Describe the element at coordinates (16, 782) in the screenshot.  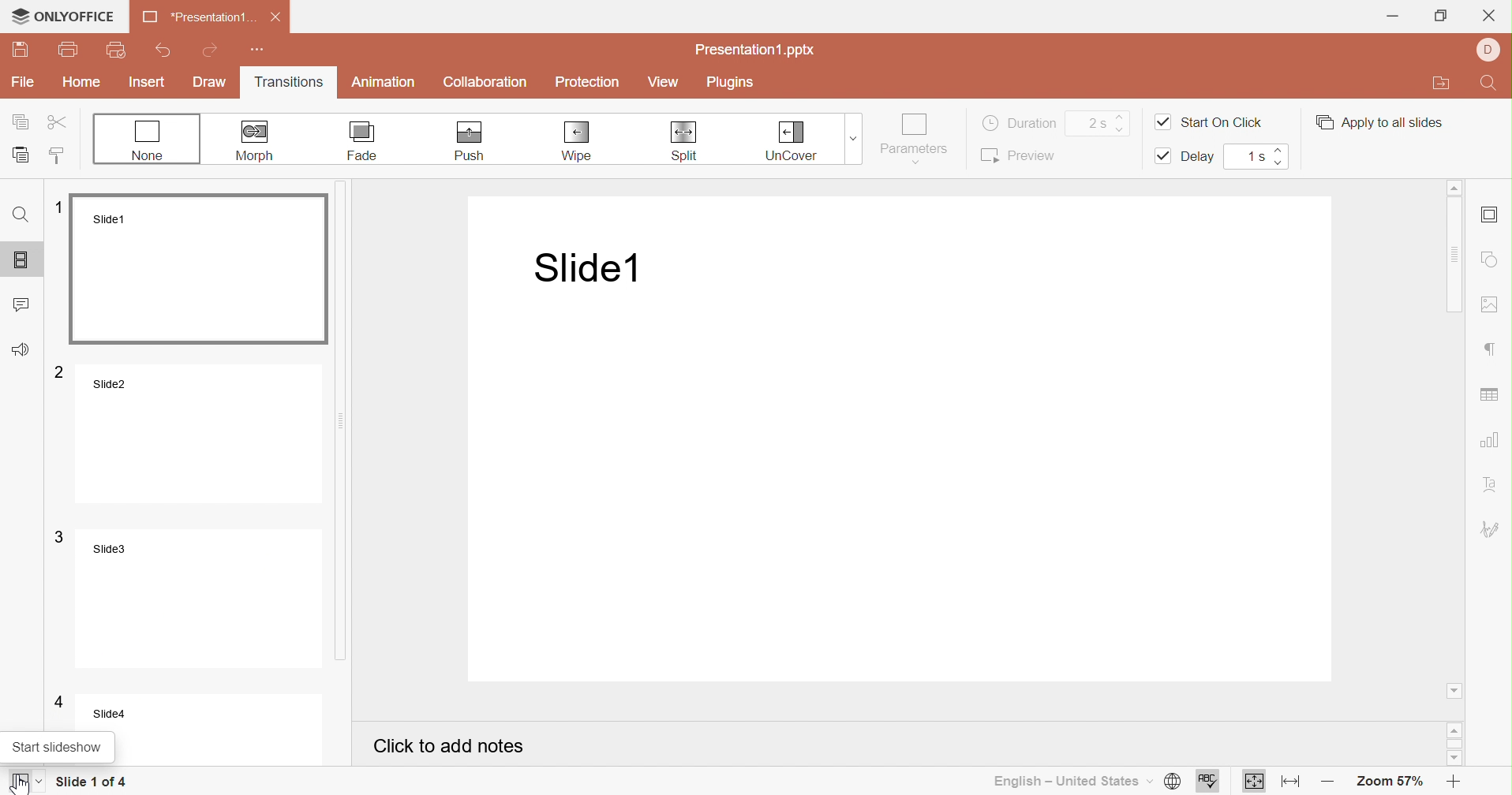
I see `Cursor` at that location.